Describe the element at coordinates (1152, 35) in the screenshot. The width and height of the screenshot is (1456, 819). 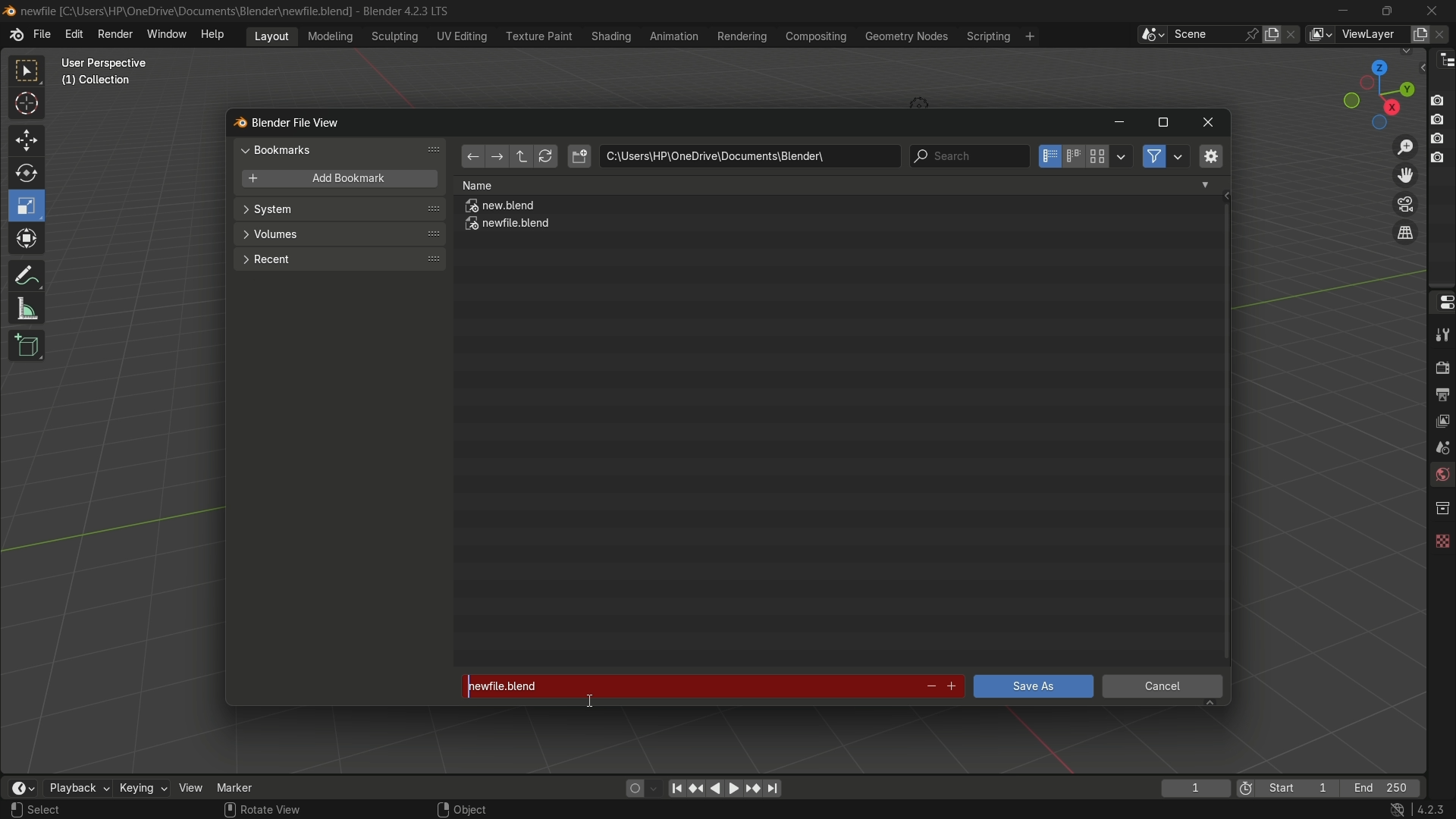
I see `browse scenes` at that location.